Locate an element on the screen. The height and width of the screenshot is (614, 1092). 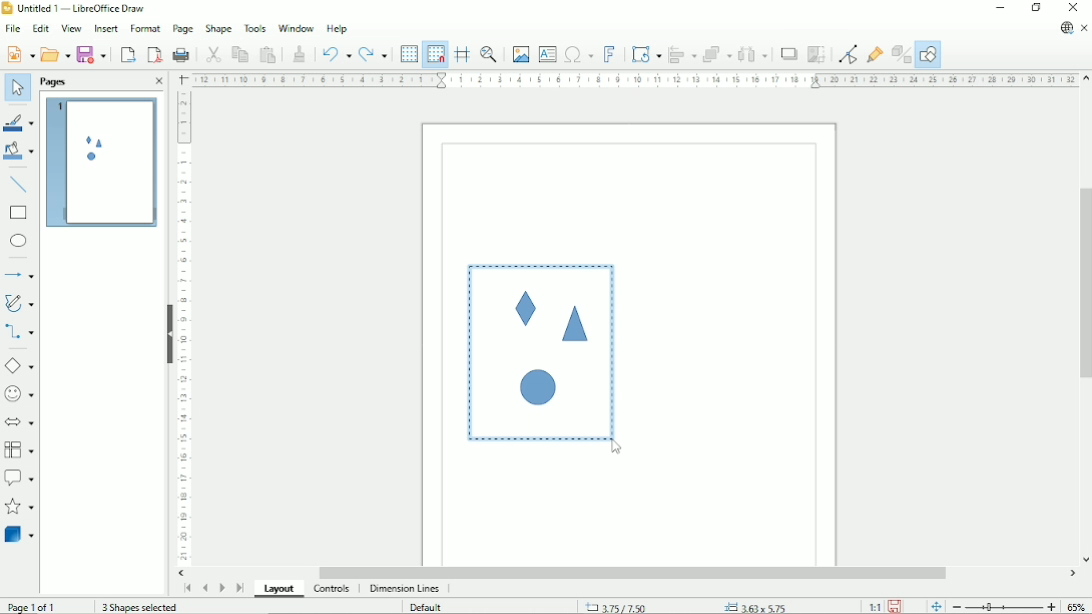
Scaling factor is located at coordinates (873, 607).